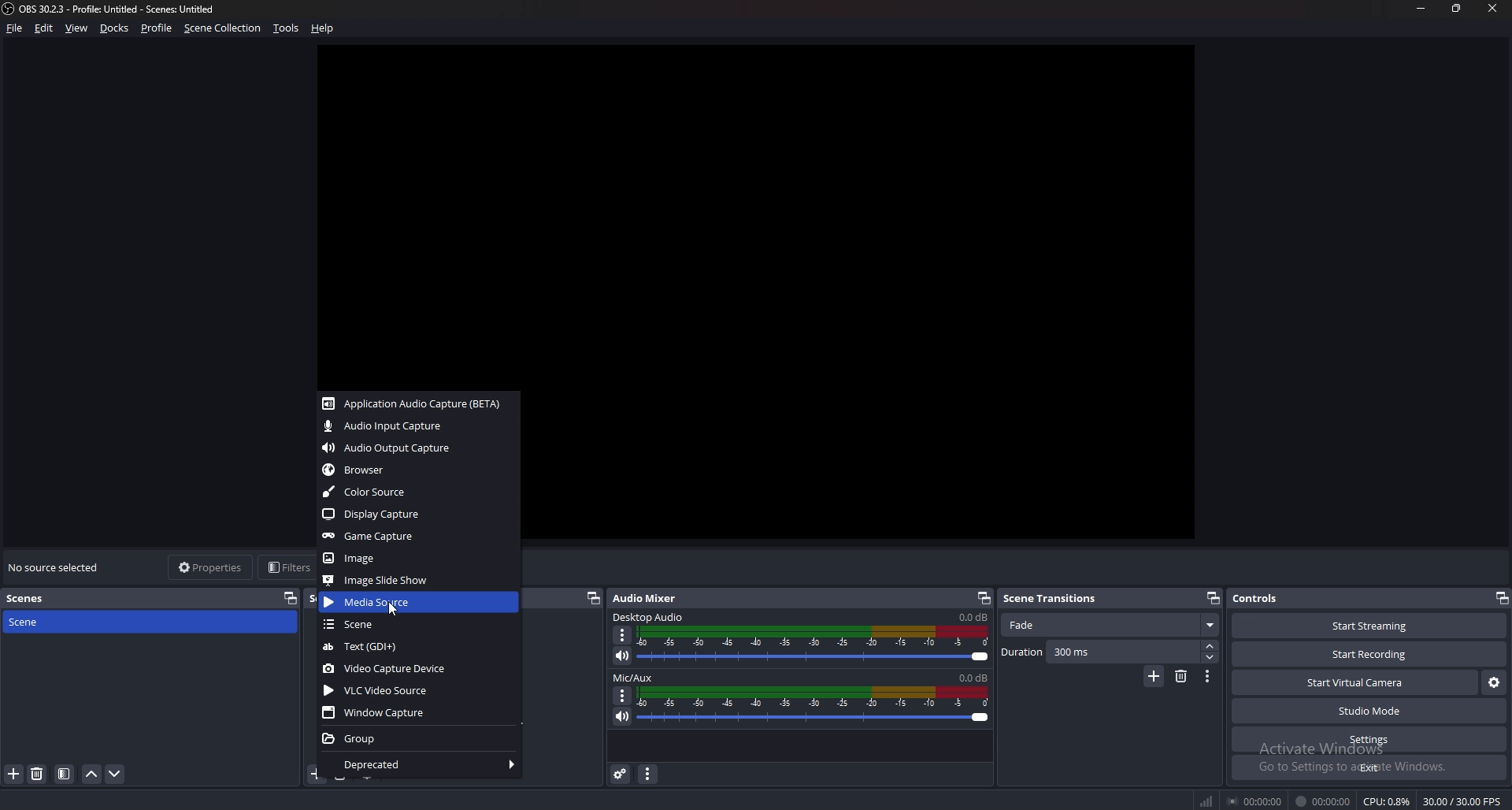 This screenshot has height=810, width=1512. What do you see at coordinates (1494, 683) in the screenshot?
I see `Virtual camera settings` at bounding box center [1494, 683].